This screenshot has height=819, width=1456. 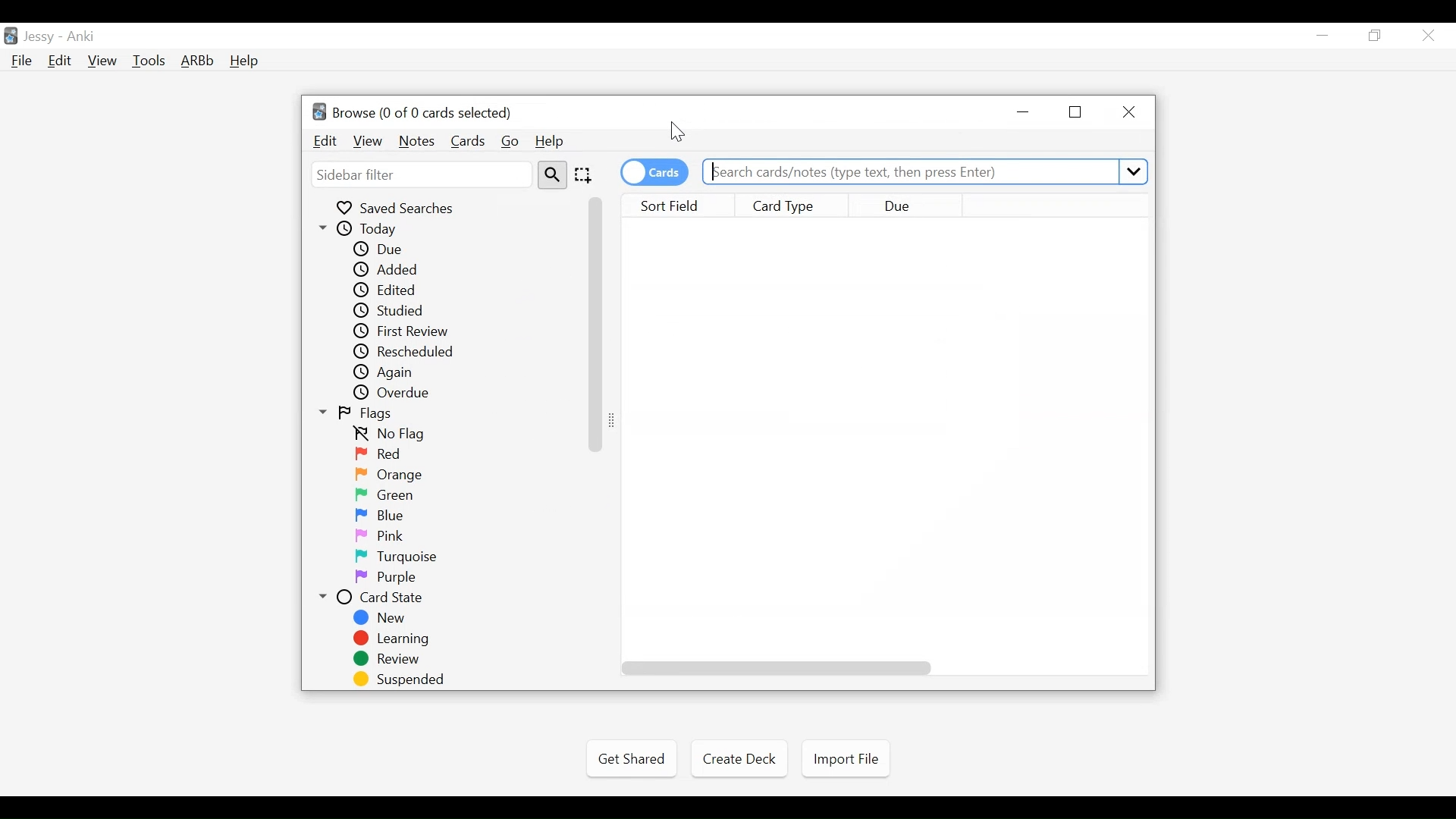 I want to click on Edited, so click(x=392, y=290).